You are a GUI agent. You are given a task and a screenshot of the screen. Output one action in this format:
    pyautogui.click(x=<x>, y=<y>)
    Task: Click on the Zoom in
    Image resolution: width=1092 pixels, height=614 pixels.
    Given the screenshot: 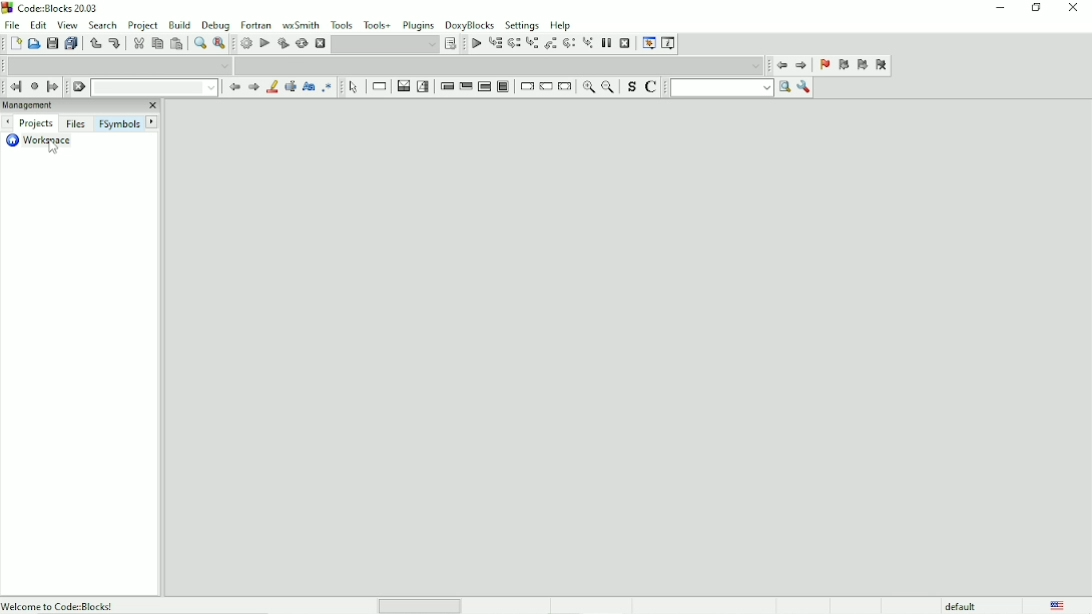 What is the action you would take?
    pyautogui.click(x=588, y=88)
    